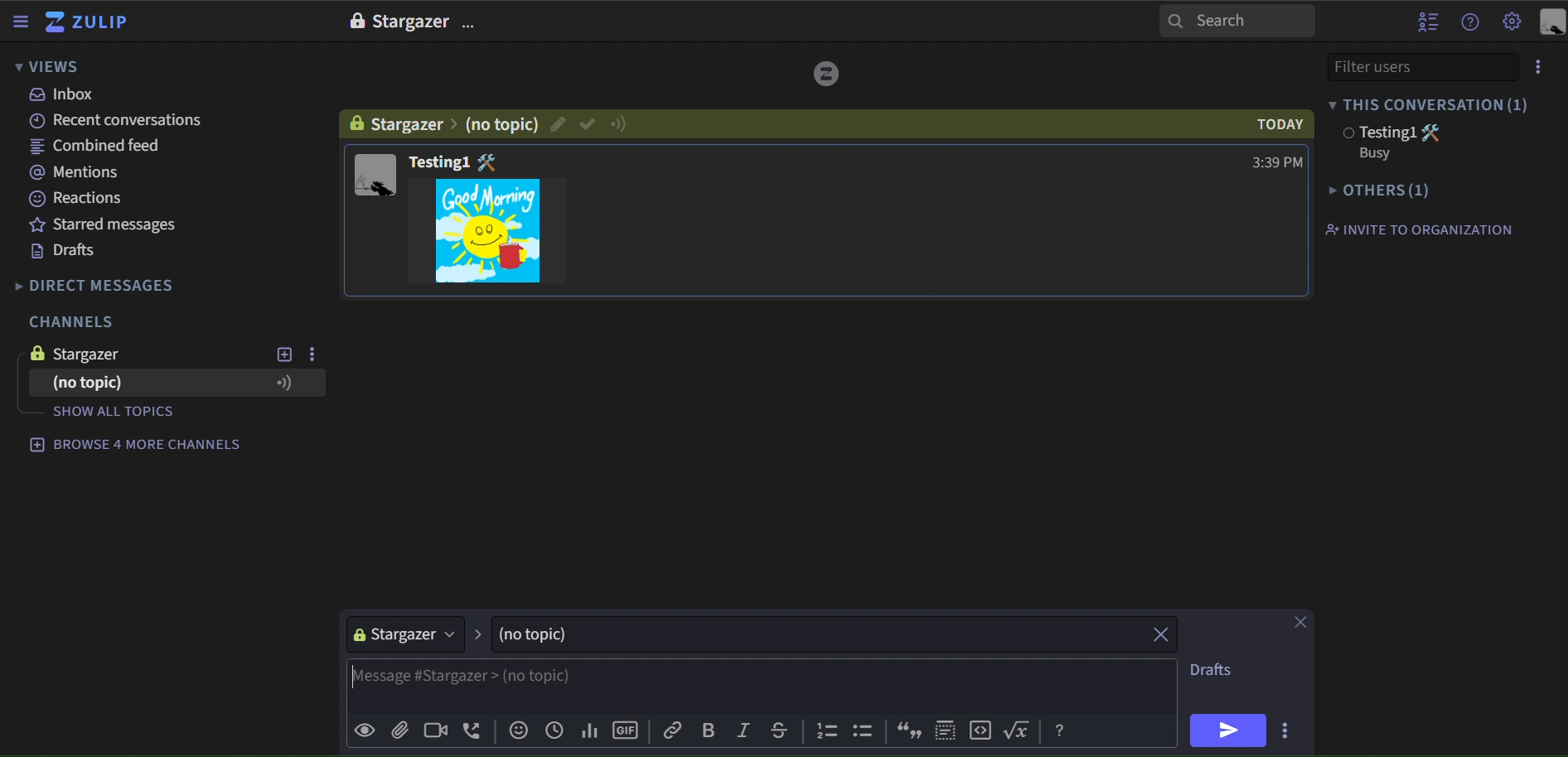  What do you see at coordinates (907, 730) in the screenshot?
I see `icon` at bounding box center [907, 730].